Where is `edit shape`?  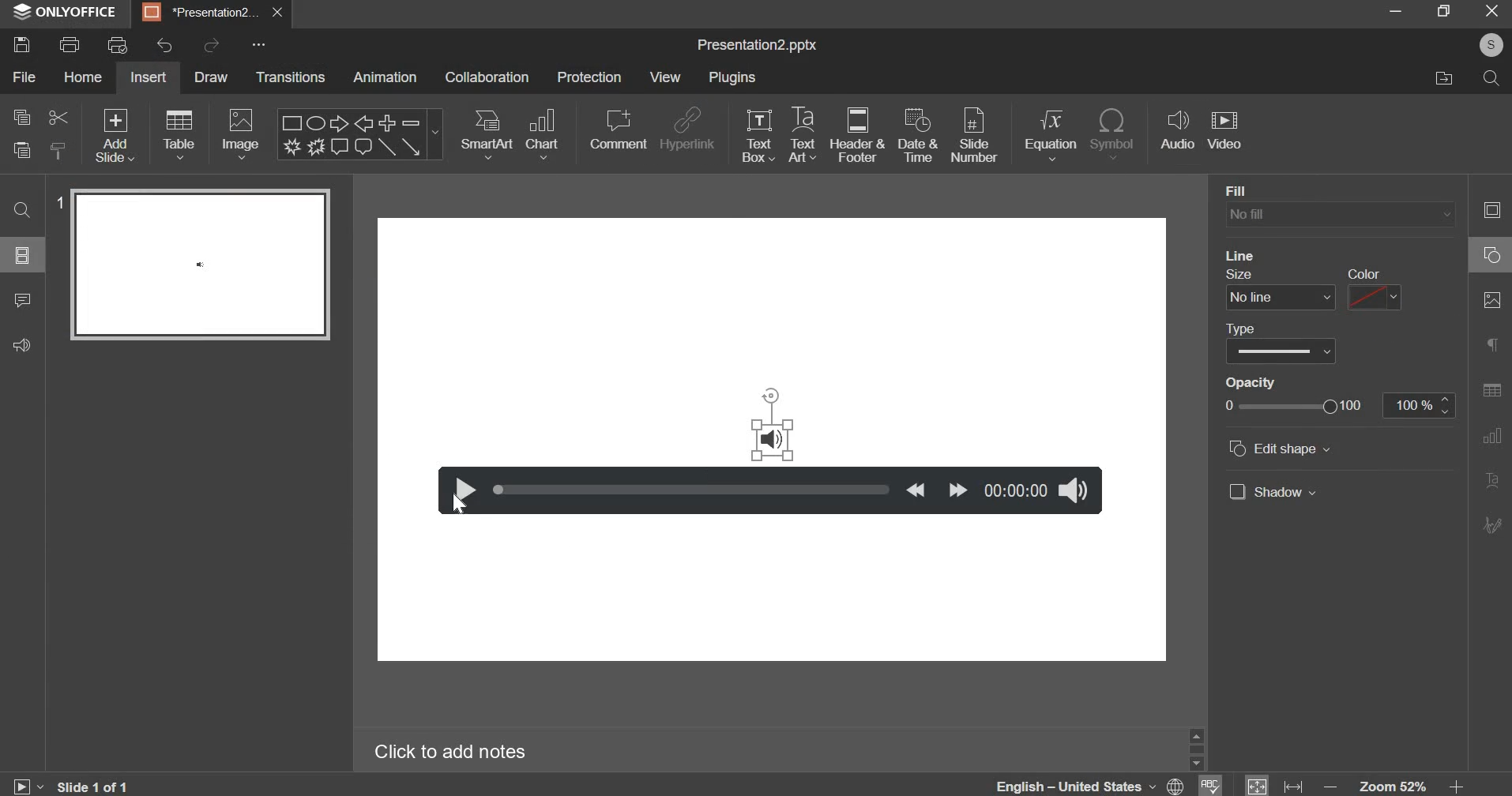 edit shape is located at coordinates (1280, 448).